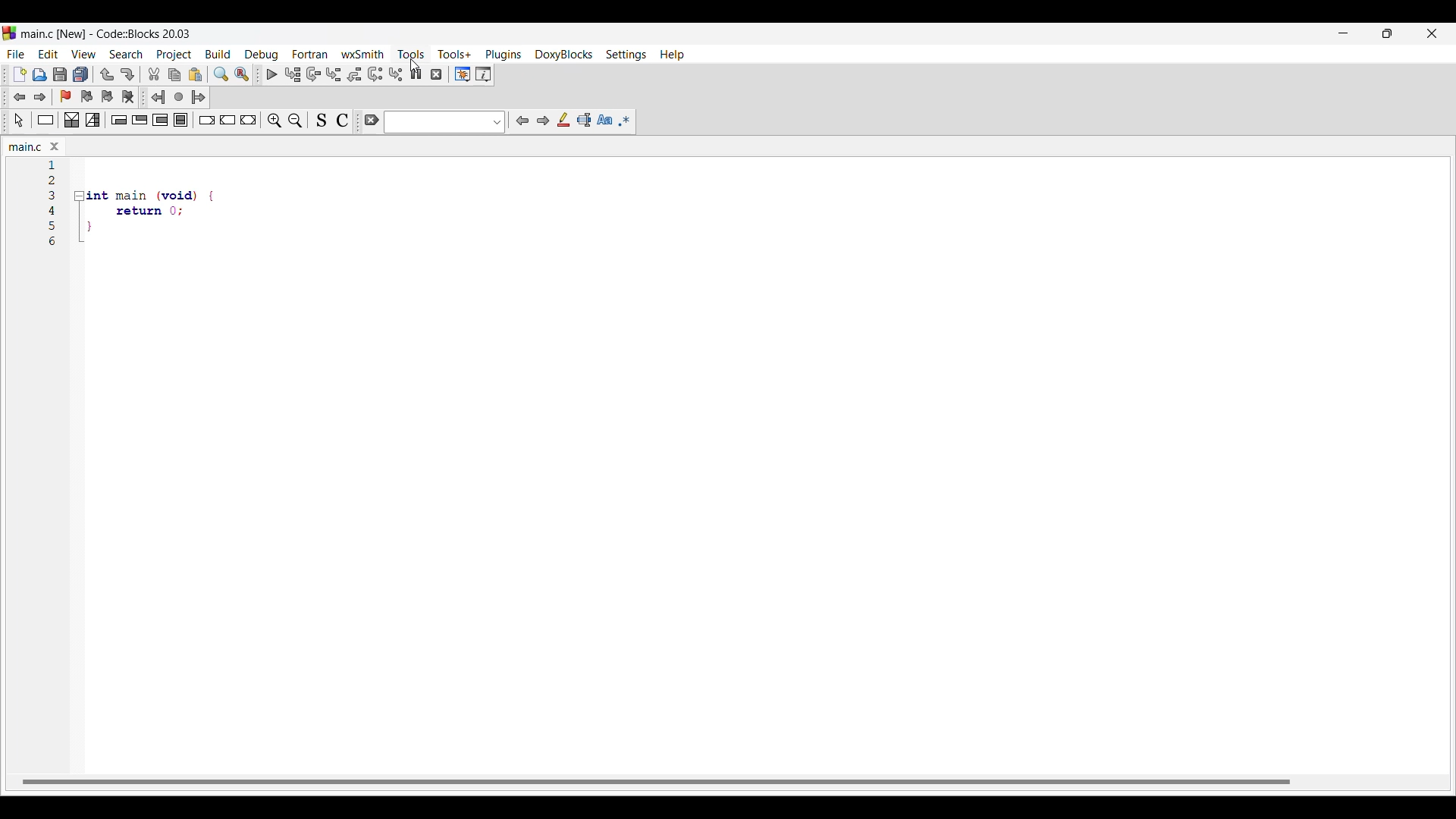  I want to click on Close tab, so click(55, 146).